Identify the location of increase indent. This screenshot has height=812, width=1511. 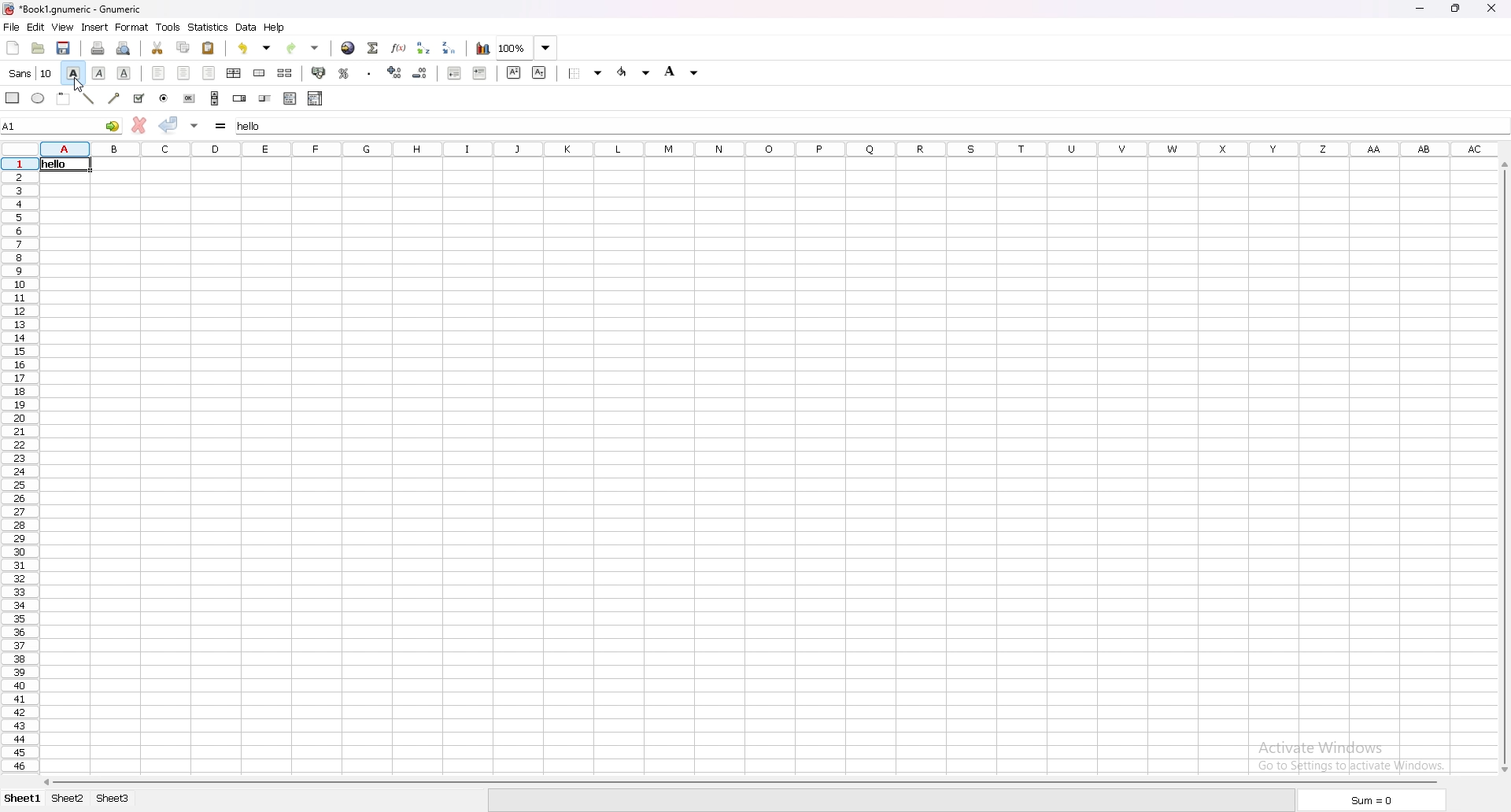
(481, 73).